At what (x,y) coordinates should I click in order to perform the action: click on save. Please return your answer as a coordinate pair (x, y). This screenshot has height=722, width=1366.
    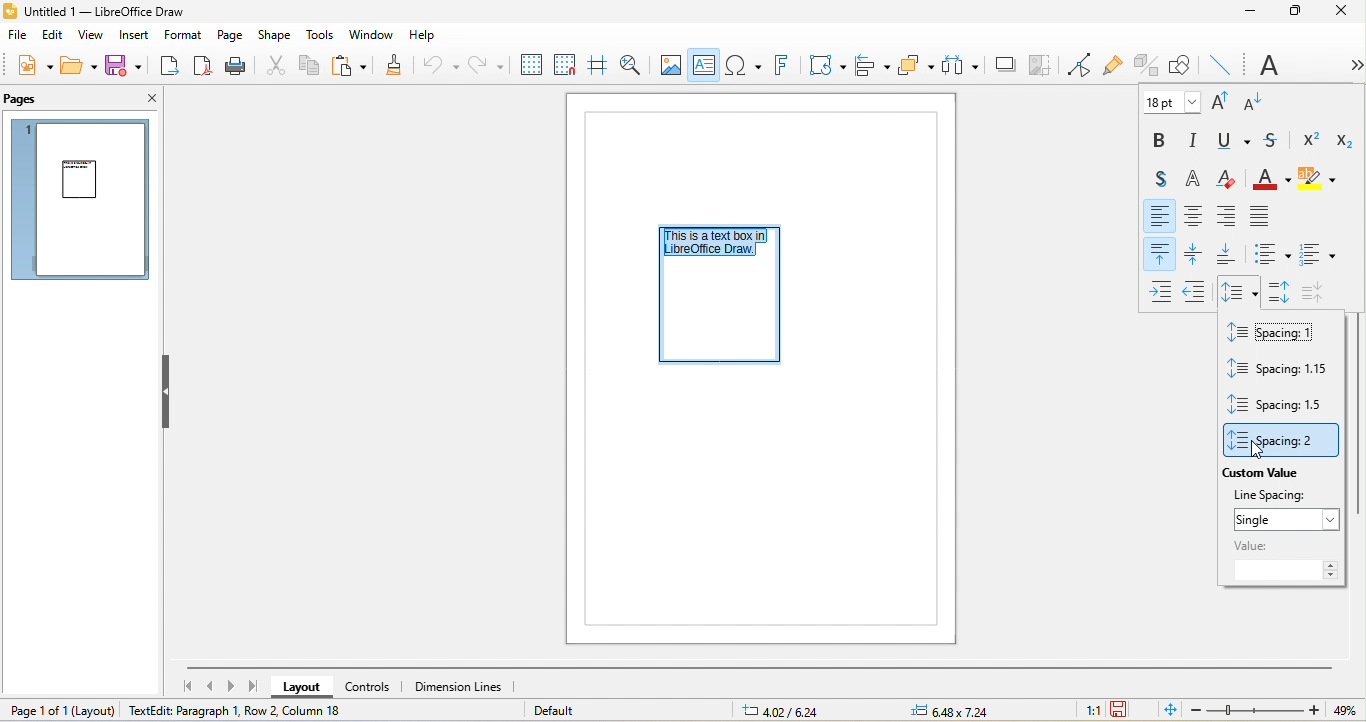
    Looking at the image, I should click on (129, 68).